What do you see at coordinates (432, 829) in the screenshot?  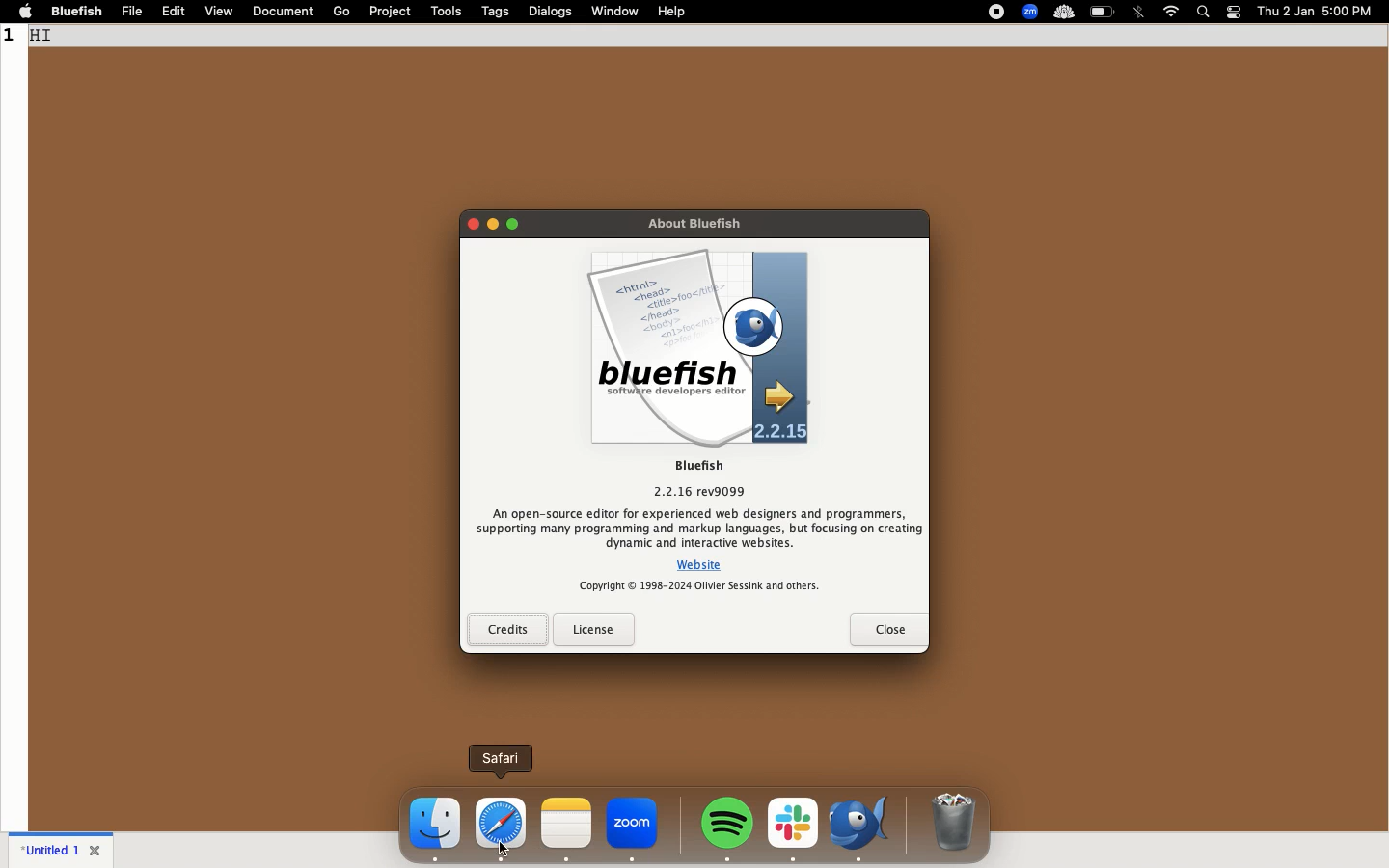 I see `finder` at bounding box center [432, 829].